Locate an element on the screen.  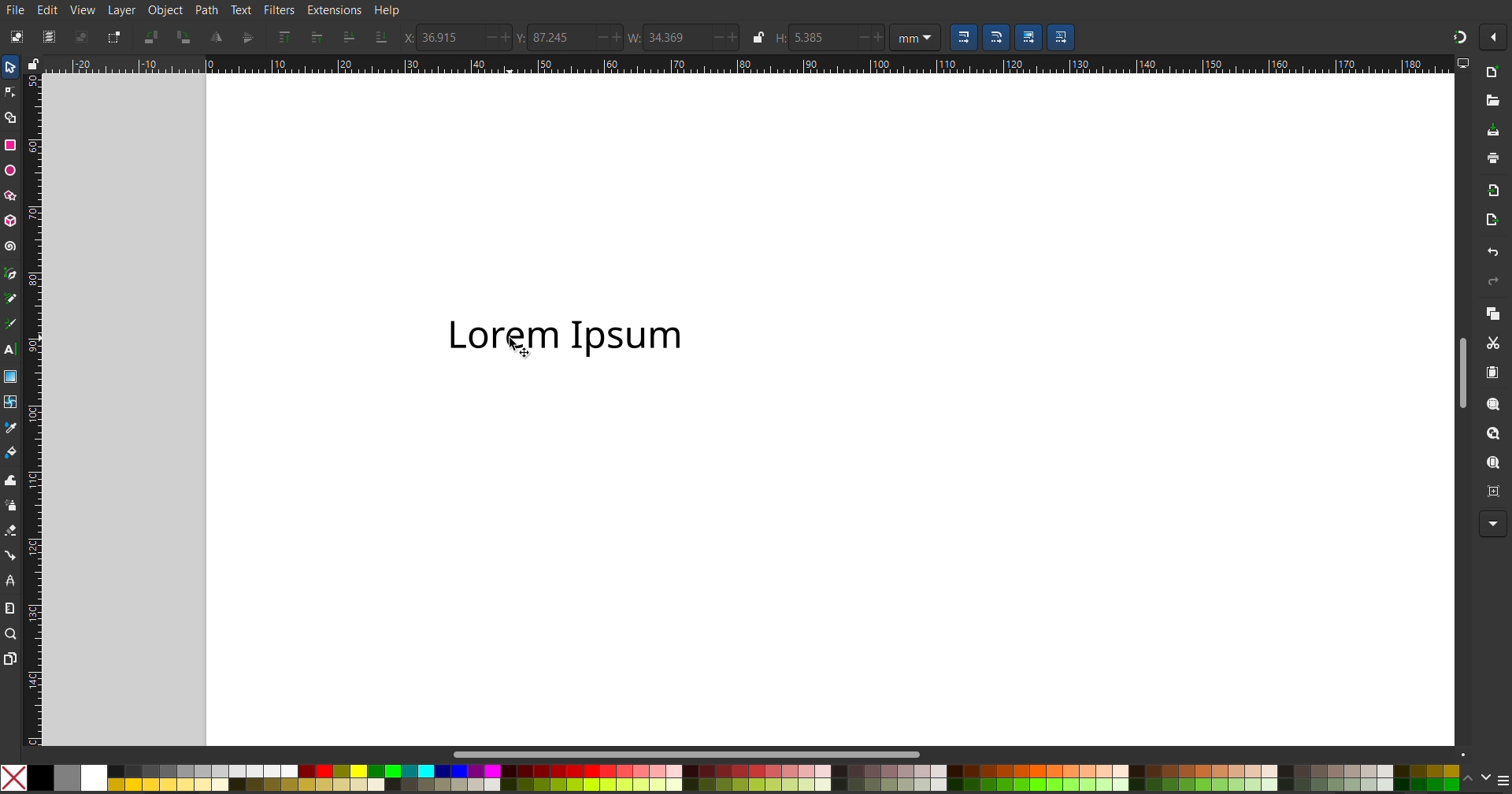
Cursor is located at coordinates (518, 347).